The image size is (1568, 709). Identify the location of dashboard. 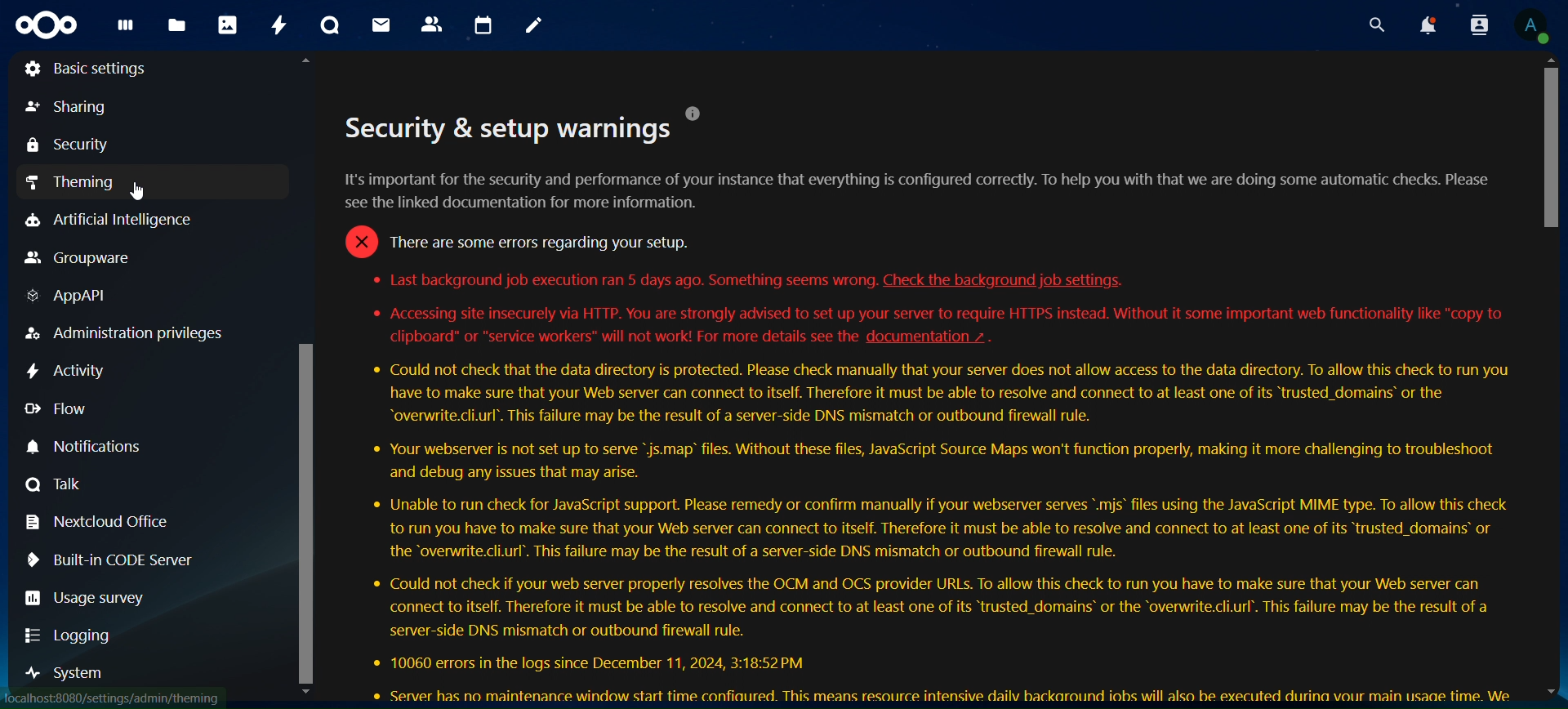
(126, 30).